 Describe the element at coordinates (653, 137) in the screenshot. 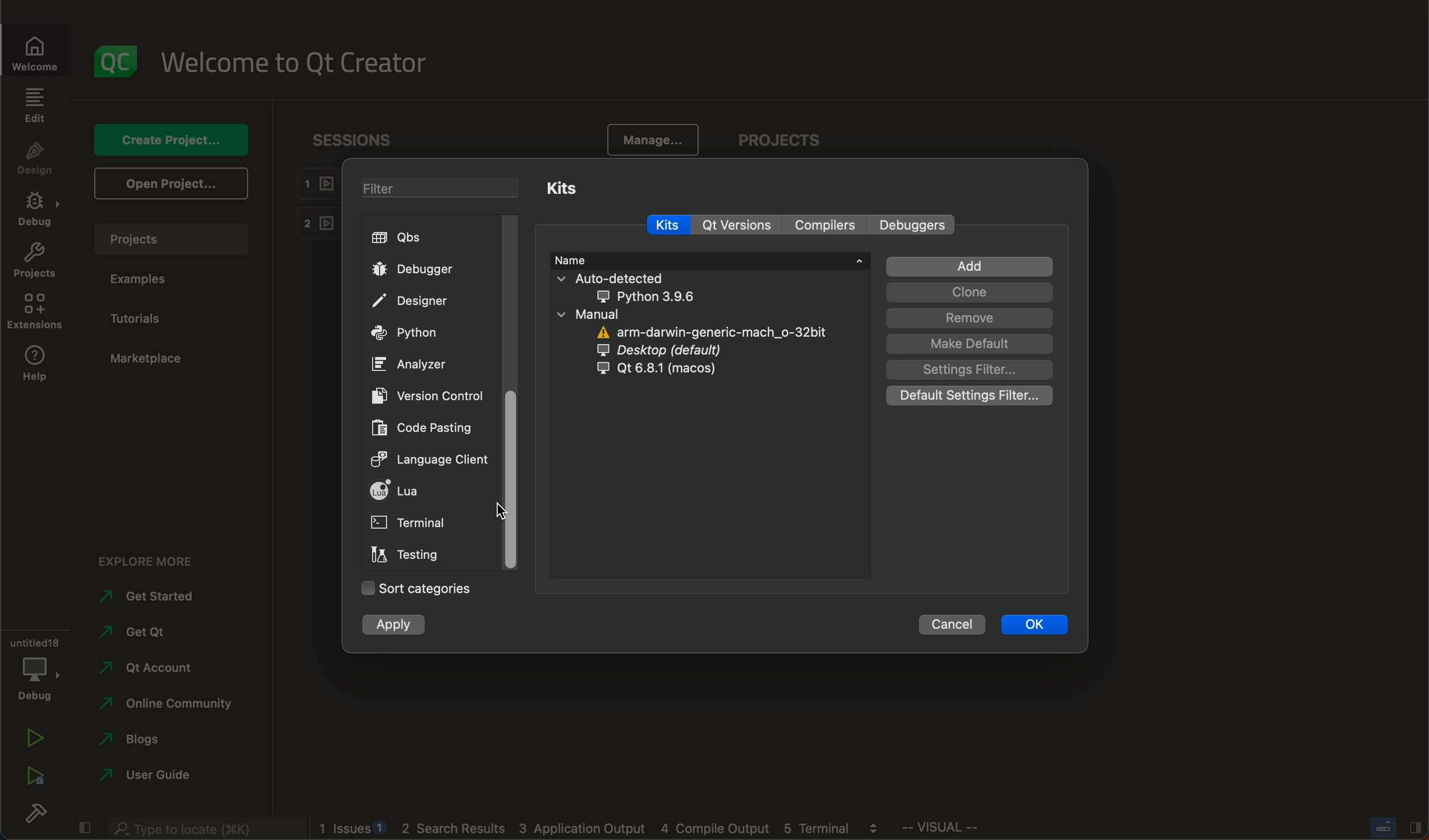

I see `manage` at that location.